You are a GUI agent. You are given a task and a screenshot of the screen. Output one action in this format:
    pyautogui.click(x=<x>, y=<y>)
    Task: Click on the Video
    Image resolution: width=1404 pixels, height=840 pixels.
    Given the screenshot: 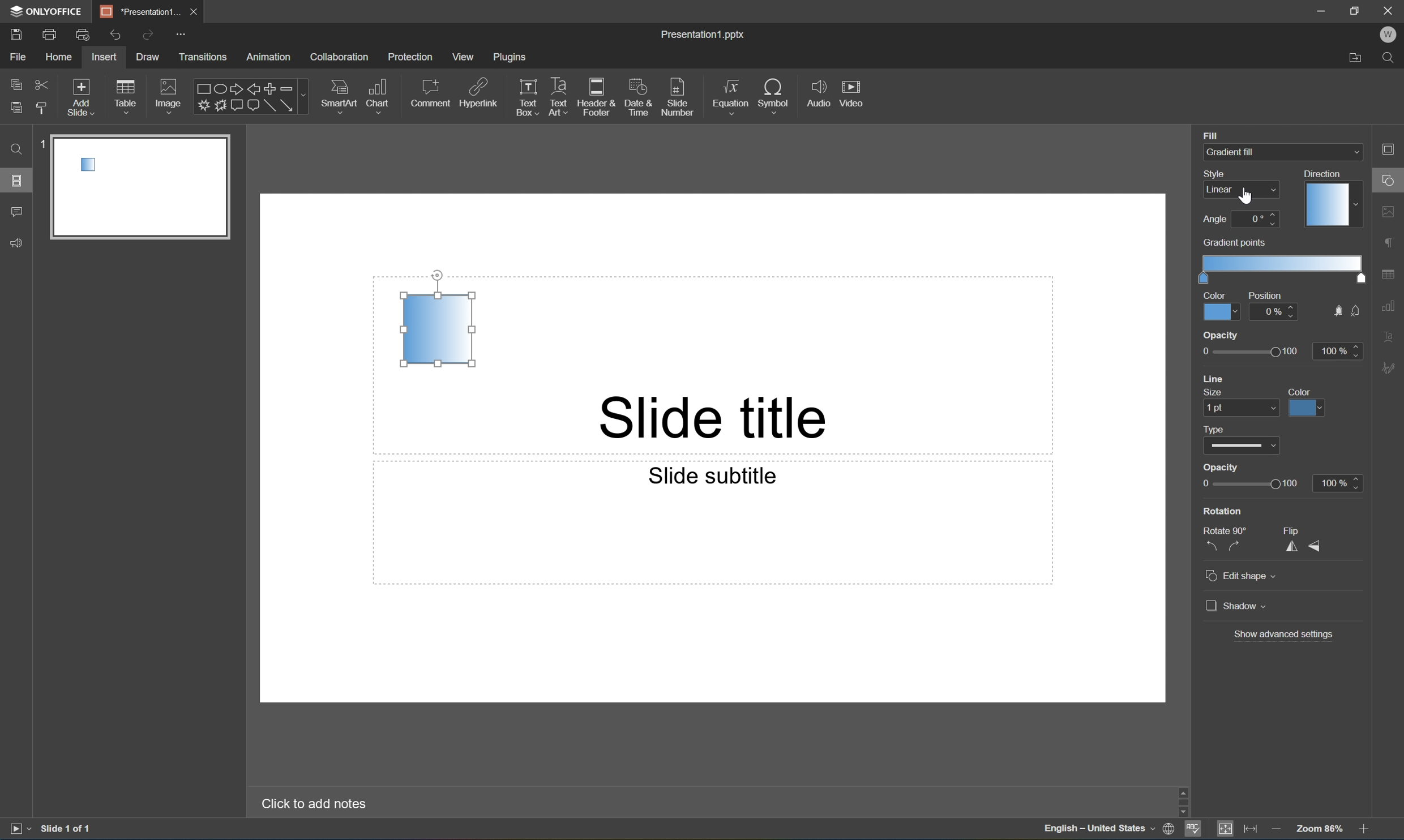 What is the action you would take?
    pyautogui.click(x=850, y=92)
    